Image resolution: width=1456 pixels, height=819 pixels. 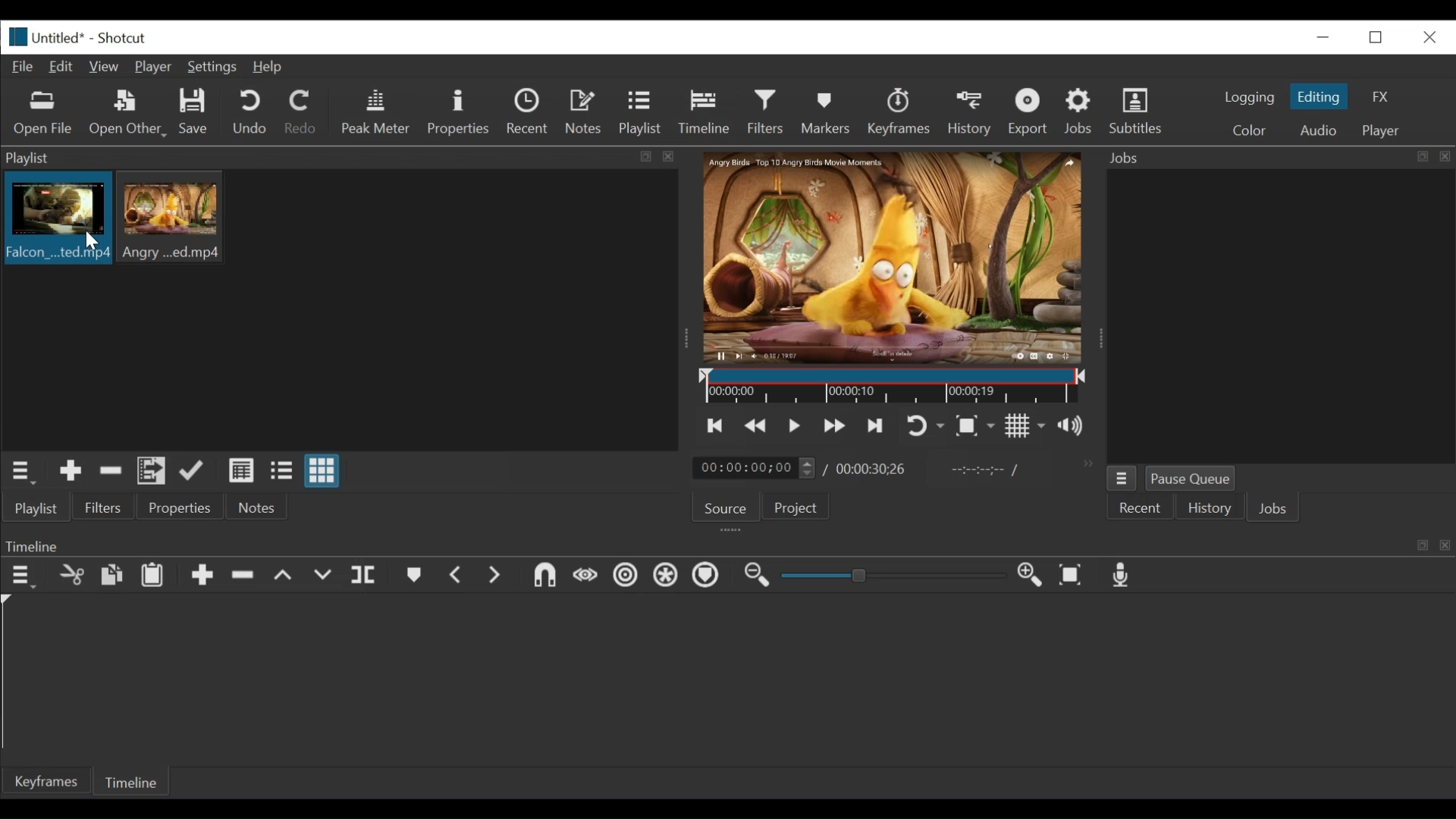 What do you see at coordinates (158, 577) in the screenshot?
I see `Paste` at bounding box center [158, 577].